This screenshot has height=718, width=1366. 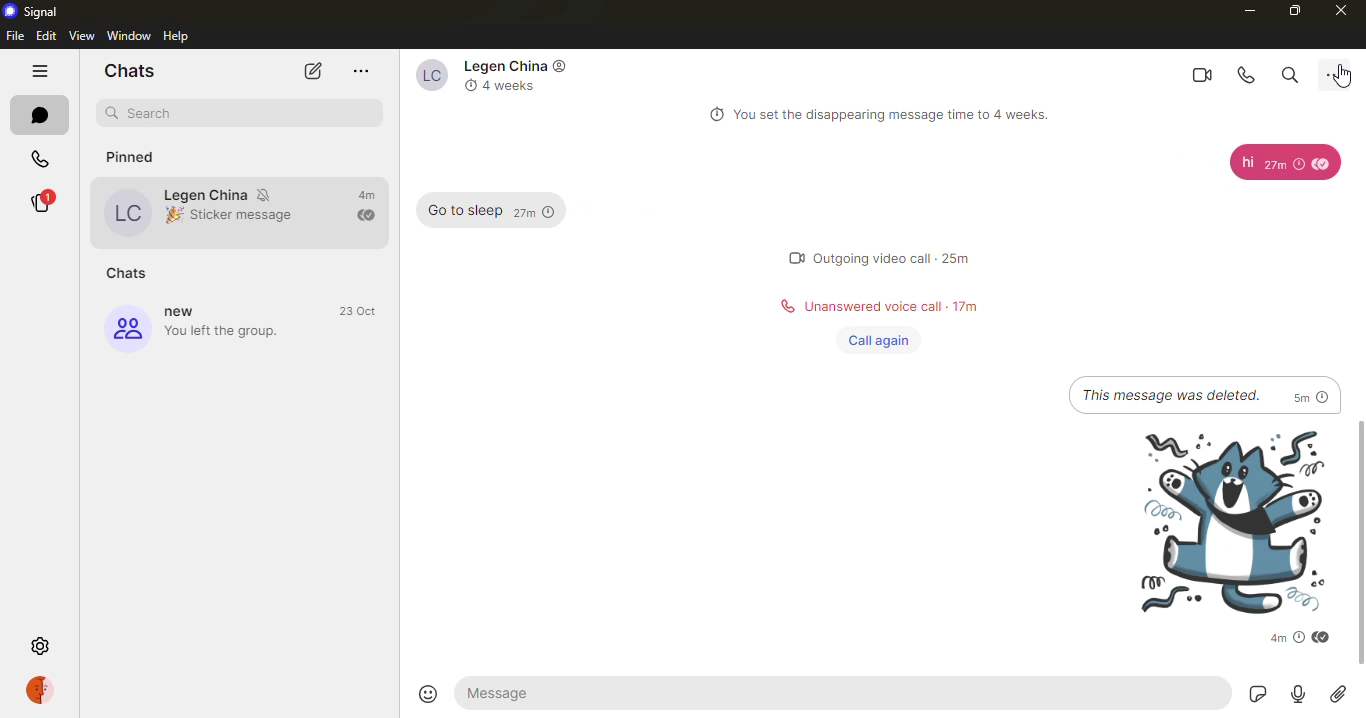 What do you see at coordinates (143, 153) in the screenshot?
I see `pinned` at bounding box center [143, 153].